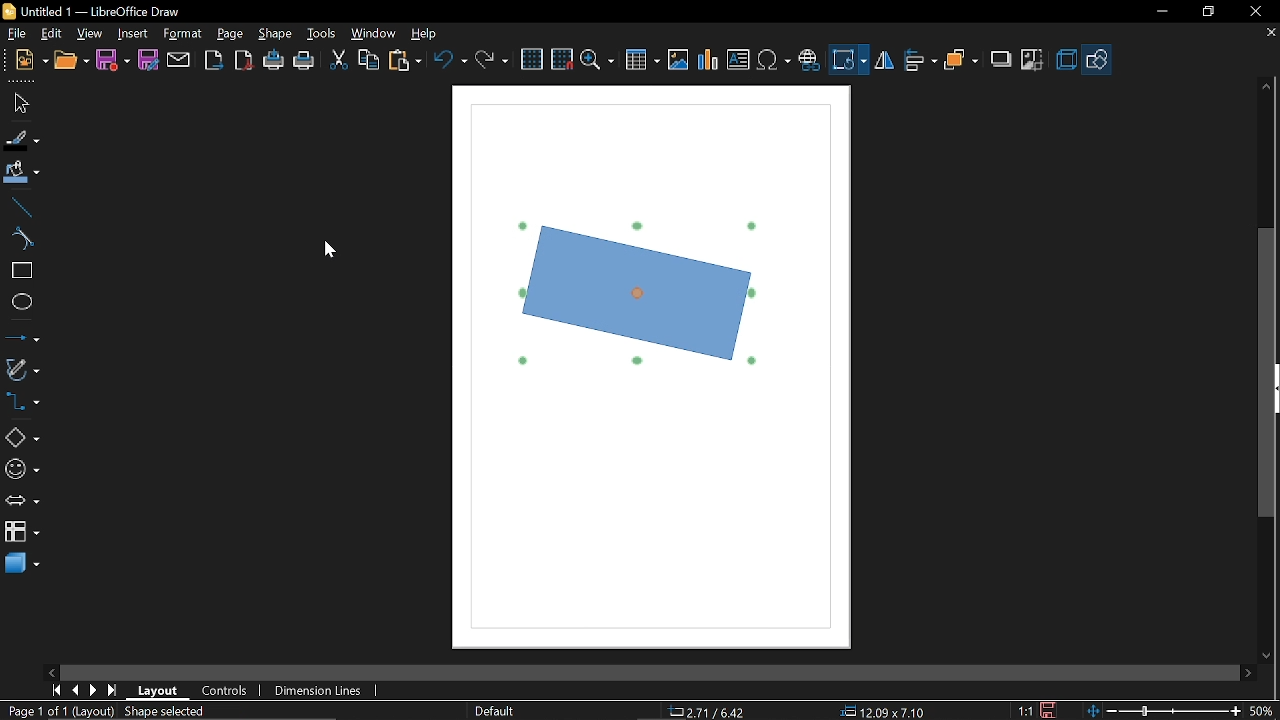 Image resolution: width=1280 pixels, height=720 pixels. Describe the element at coordinates (452, 59) in the screenshot. I see `UNdo` at that location.